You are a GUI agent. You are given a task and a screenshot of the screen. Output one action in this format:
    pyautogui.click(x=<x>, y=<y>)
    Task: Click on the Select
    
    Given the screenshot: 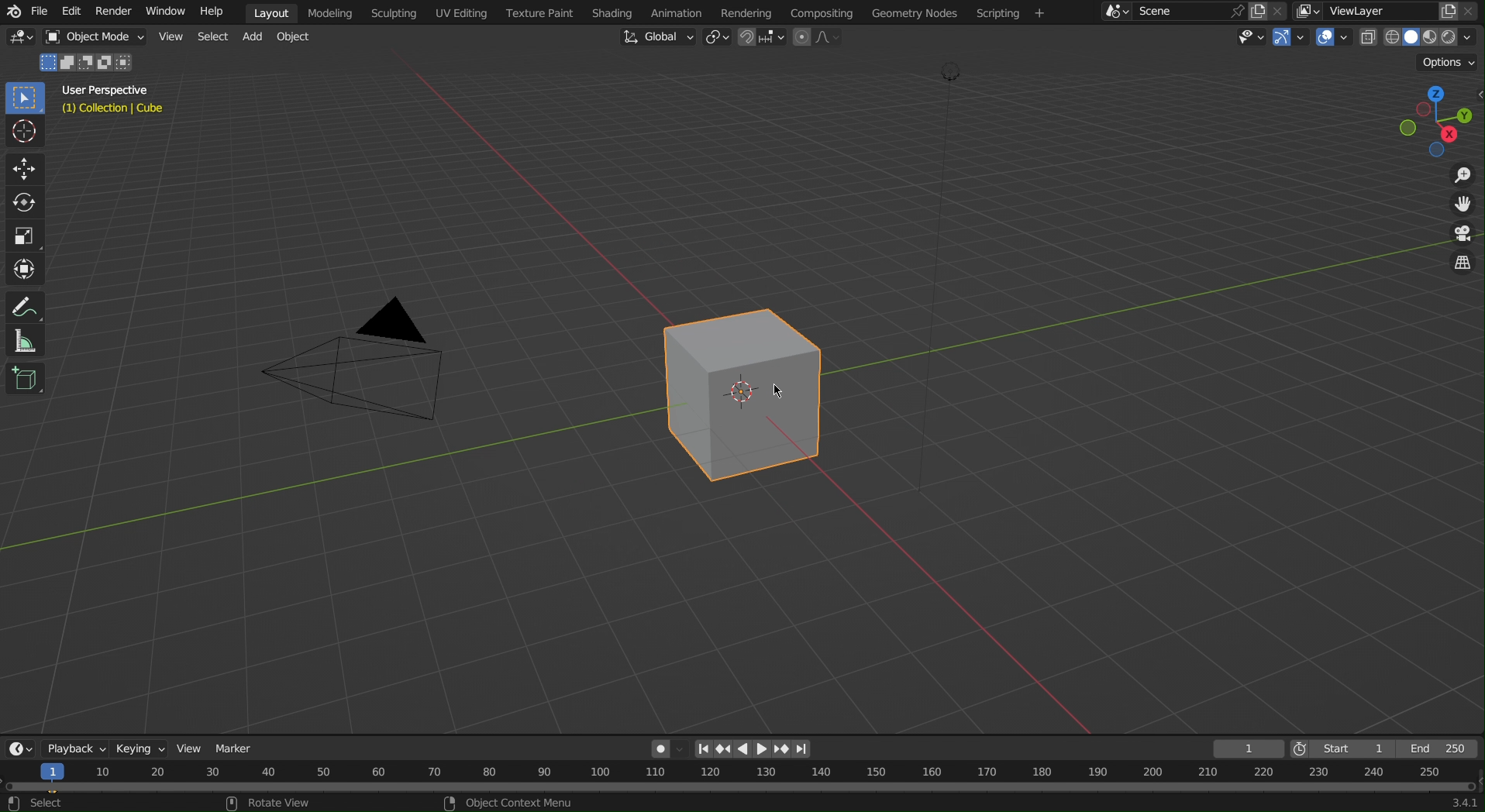 What is the action you would take?
    pyautogui.click(x=212, y=36)
    